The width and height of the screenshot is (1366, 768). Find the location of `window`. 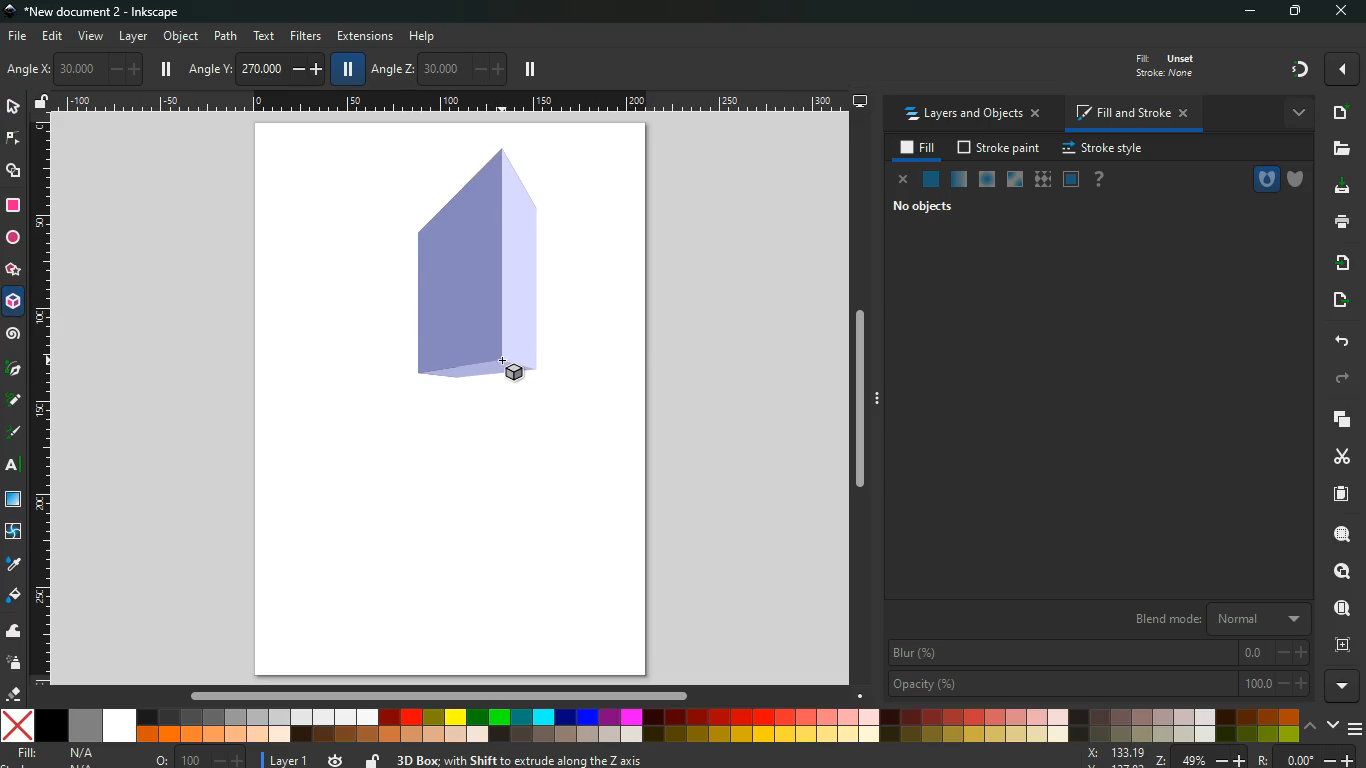

window is located at coordinates (15, 500).